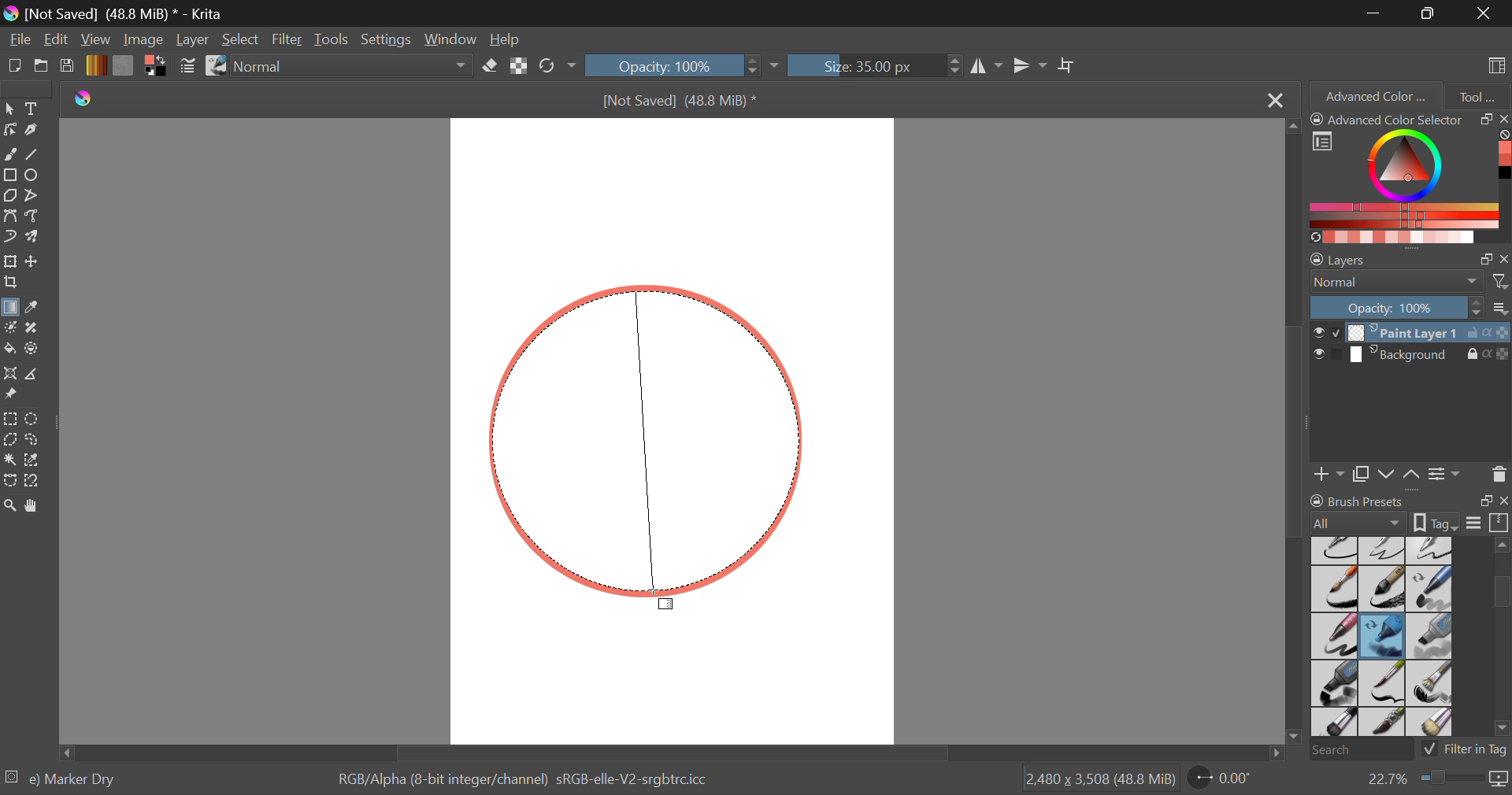 The height and width of the screenshot is (795, 1512). I want to click on Vertical Mirror Tool, so click(1029, 66).